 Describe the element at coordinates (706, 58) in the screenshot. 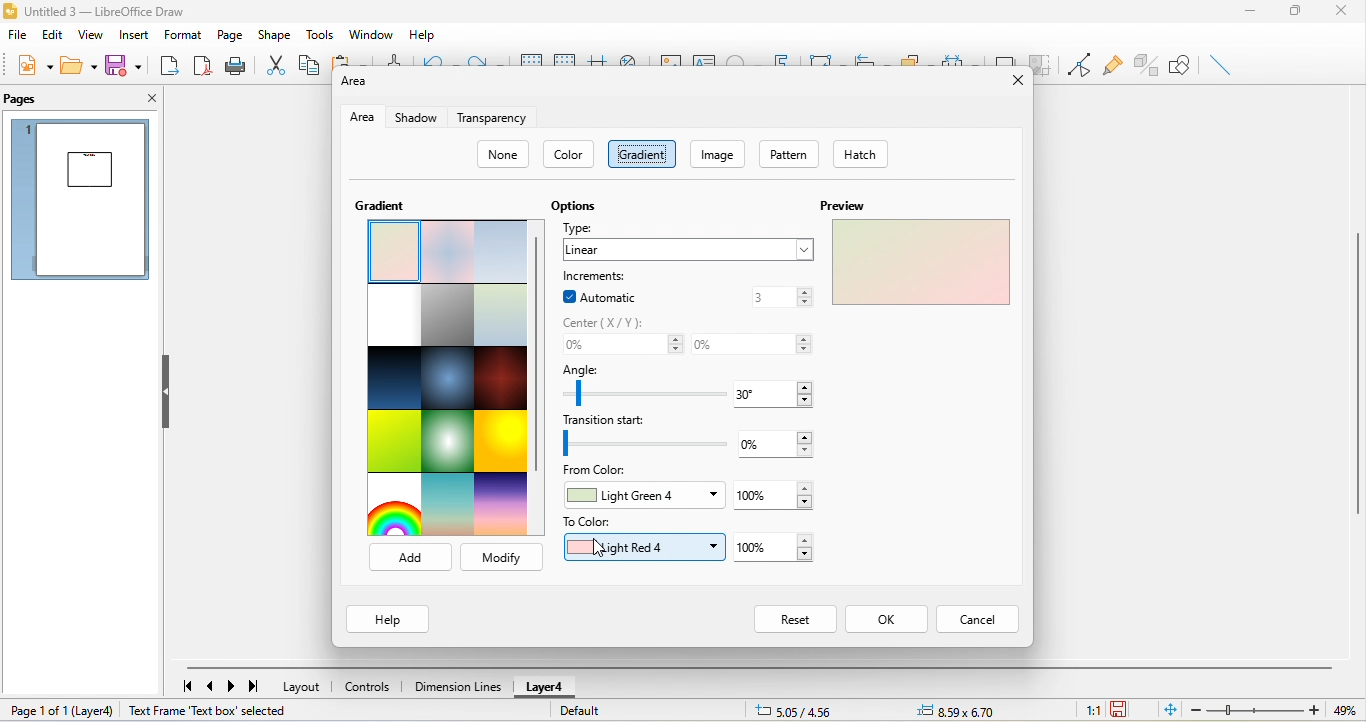

I see `text box` at that location.